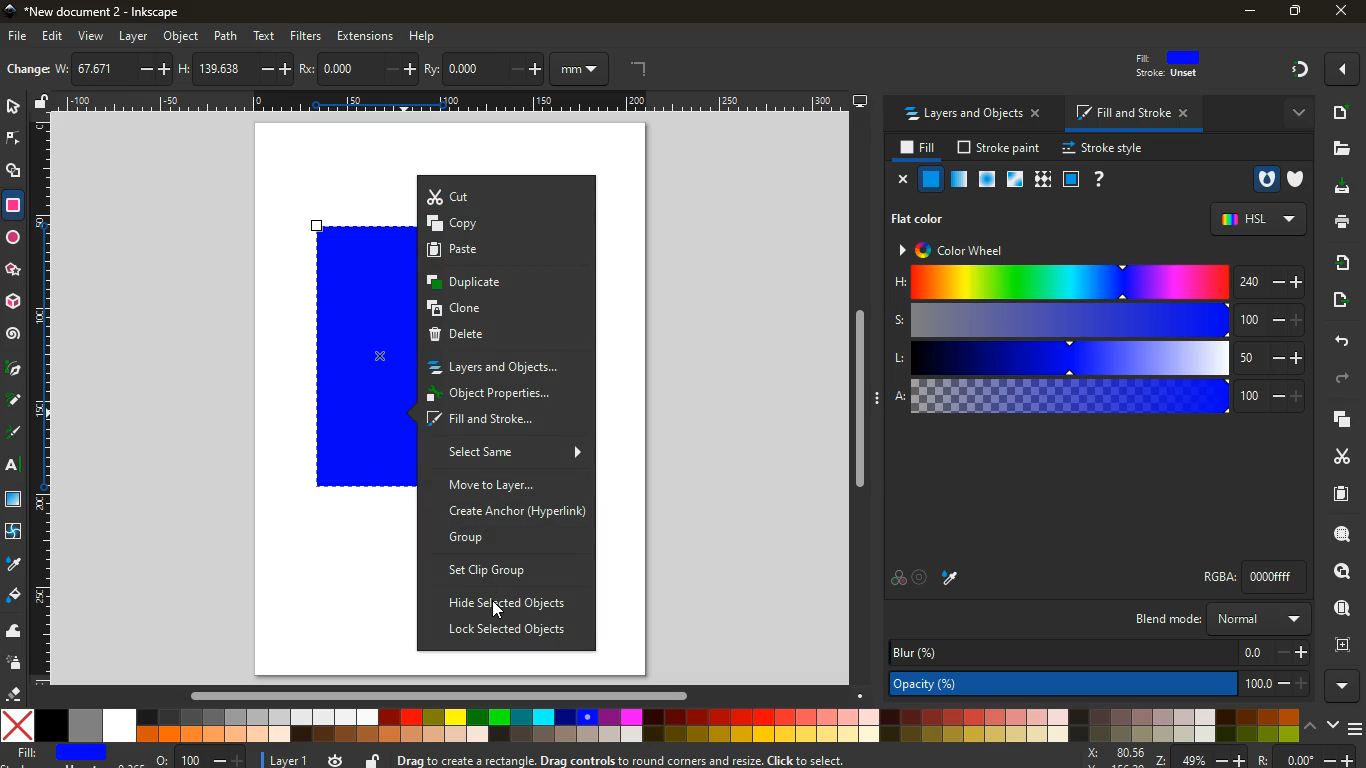 Image resolution: width=1366 pixels, height=768 pixels. What do you see at coordinates (1292, 69) in the screenshot?
I see `` at bounding box center [1292, 69].